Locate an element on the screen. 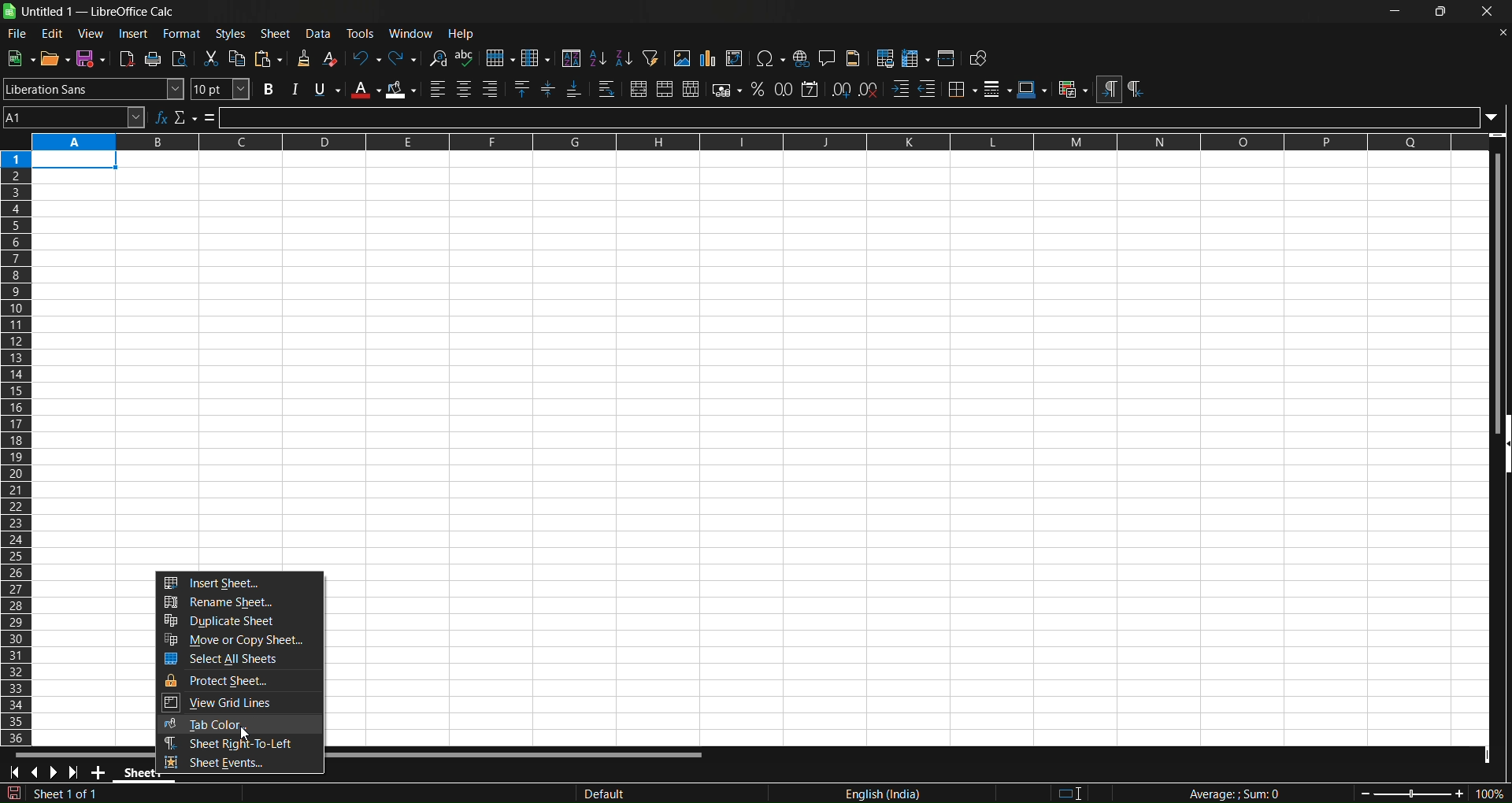 The image size is (1512, 803). center vertically is located at coordinates (550, 90).